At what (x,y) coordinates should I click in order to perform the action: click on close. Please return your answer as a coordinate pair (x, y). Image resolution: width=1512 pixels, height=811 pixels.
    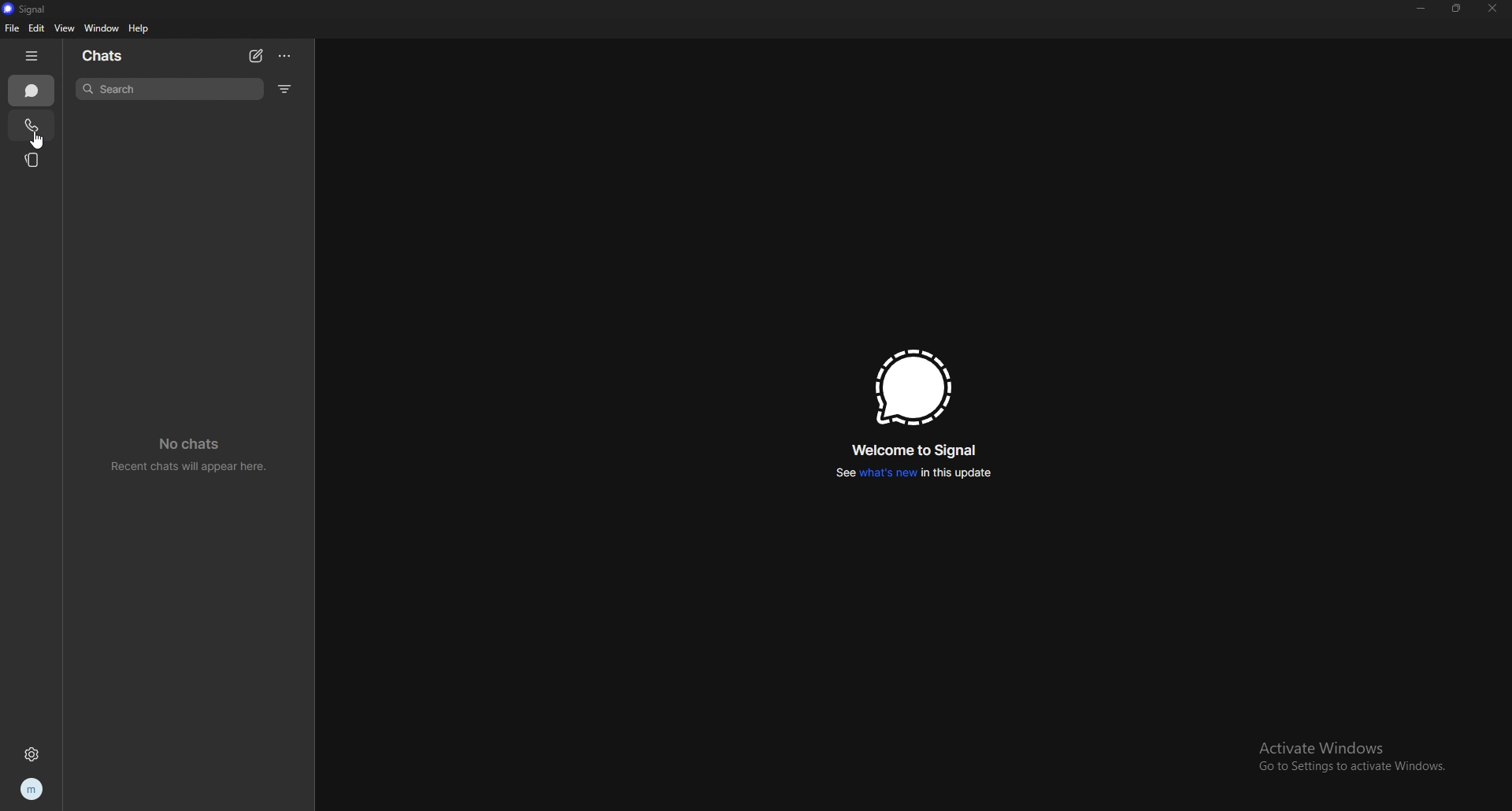
    Looking at the image, I should click on (1494, 9).